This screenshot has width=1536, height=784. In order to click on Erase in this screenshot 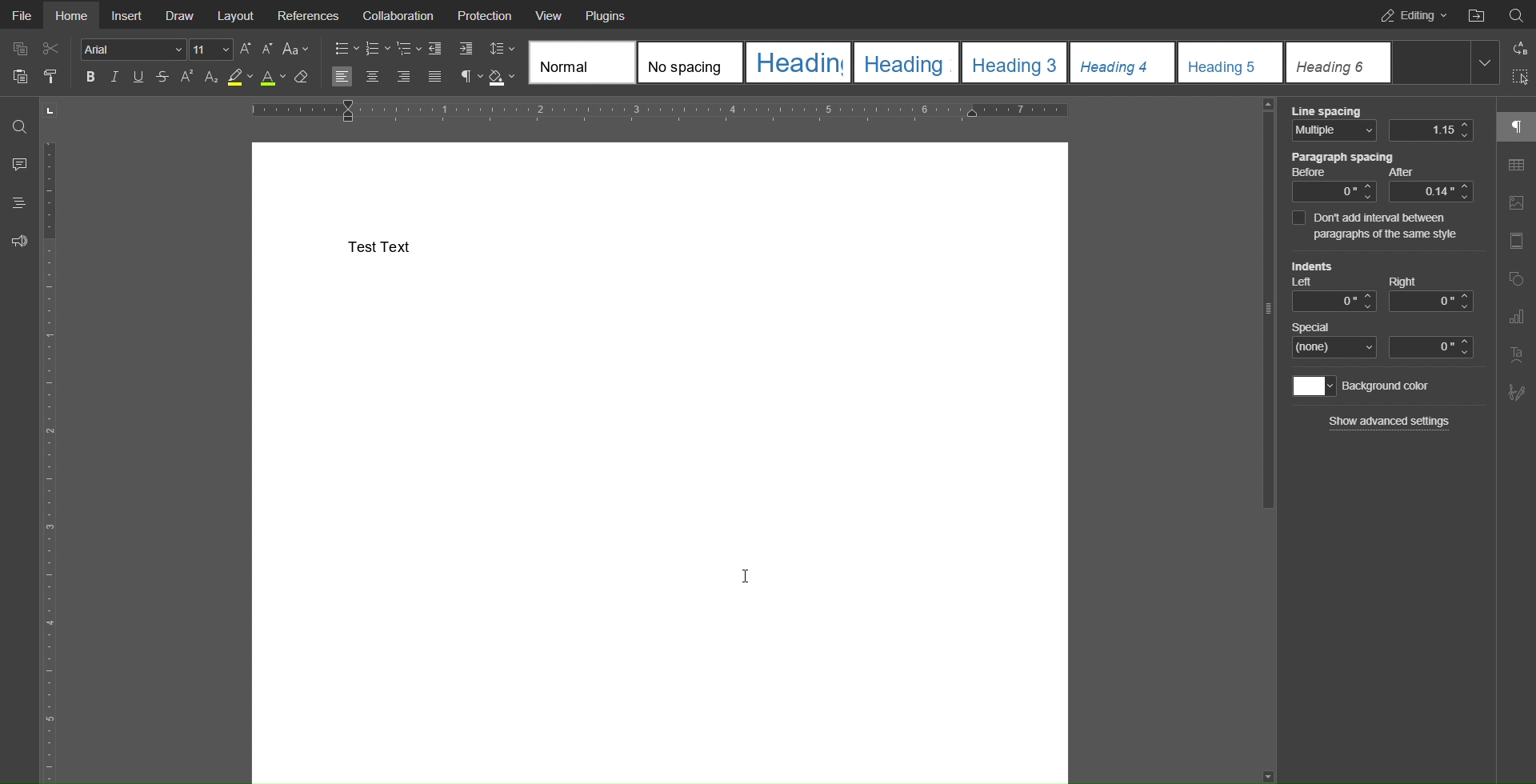, I will do `click(302, 78)`.